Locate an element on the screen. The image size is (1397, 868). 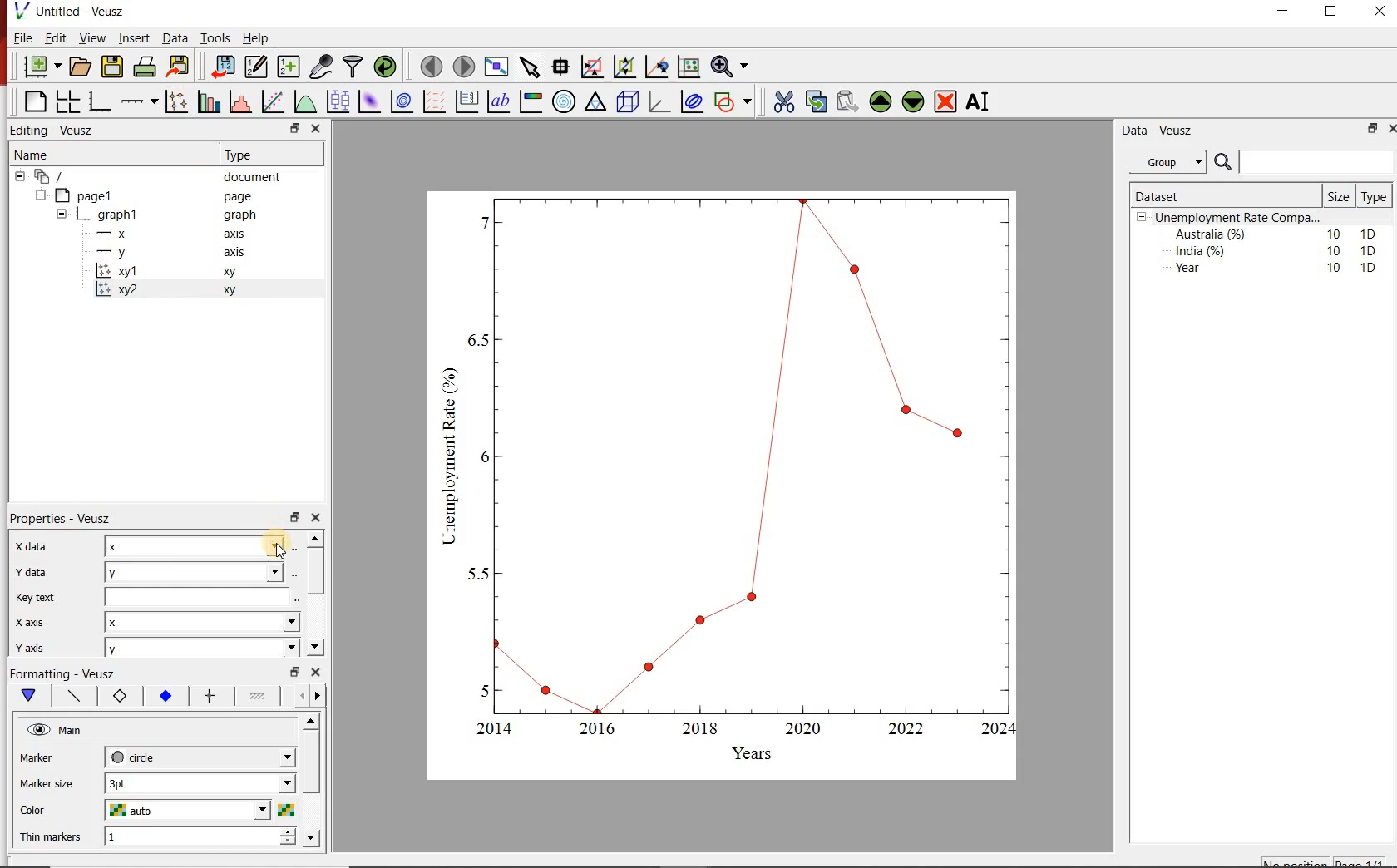
marker border is located at coordinates (119, 697).